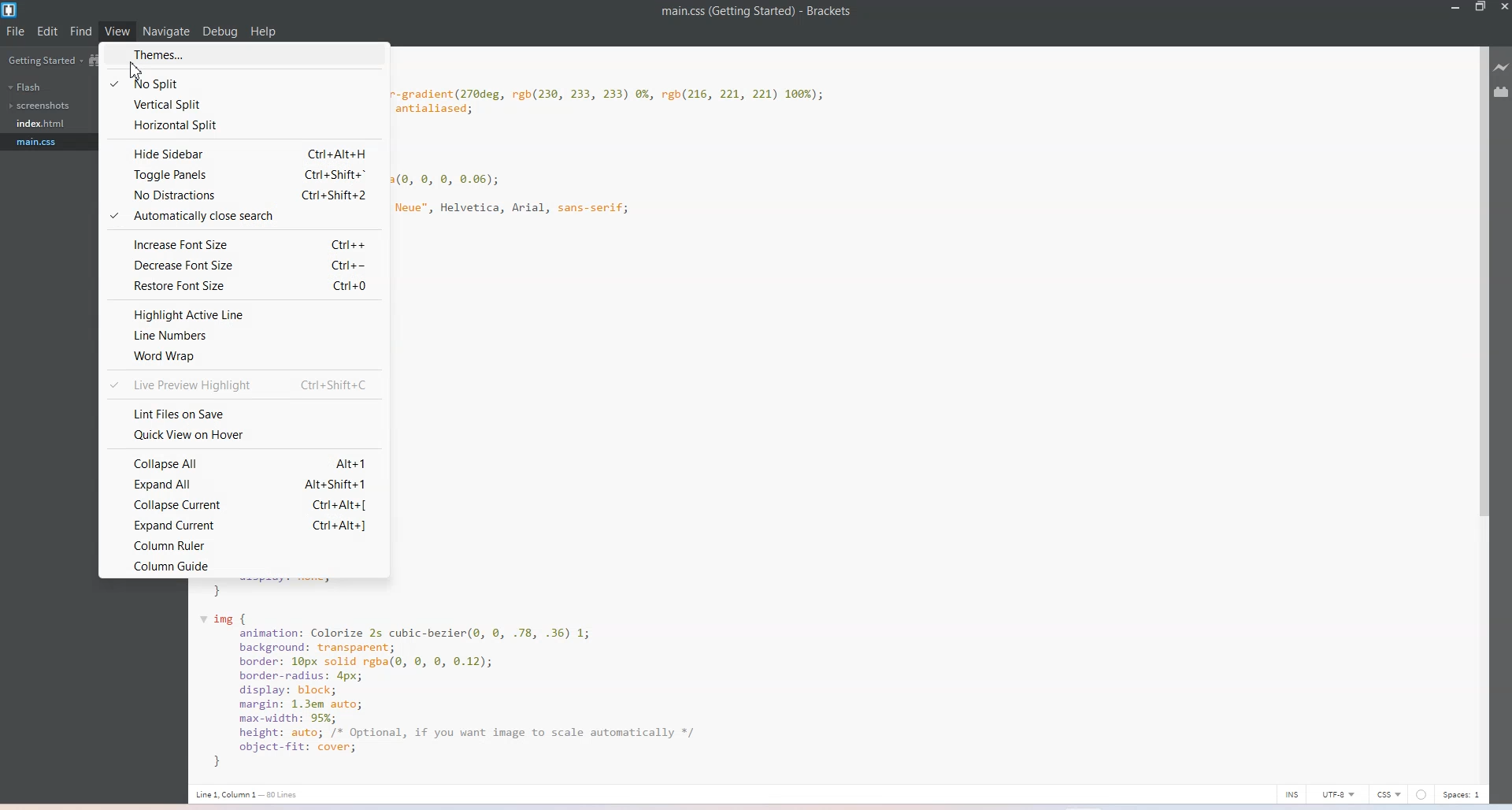 The image size is (1512, 810). Describe the element at coordinates (245, 484) in the screenshot. I see `Expand all` at that location.